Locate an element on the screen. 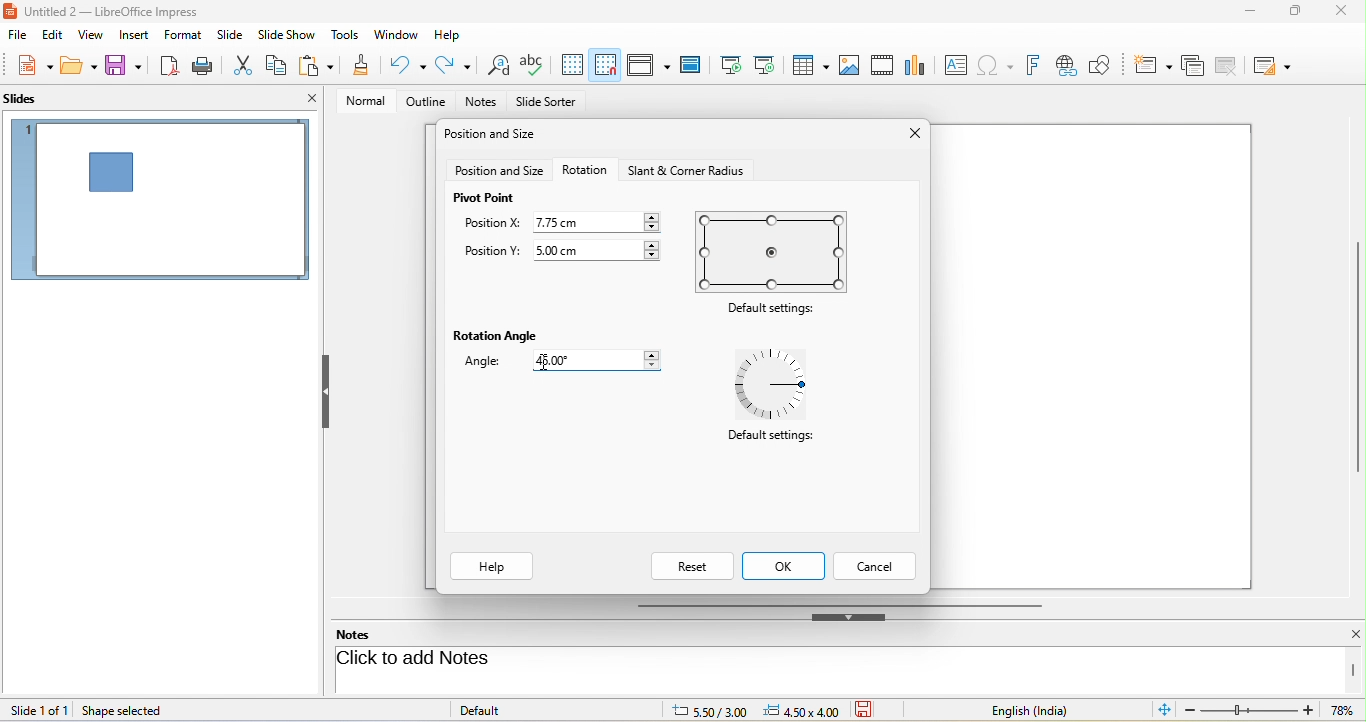  minimize is located at coordinates (1246, 14).